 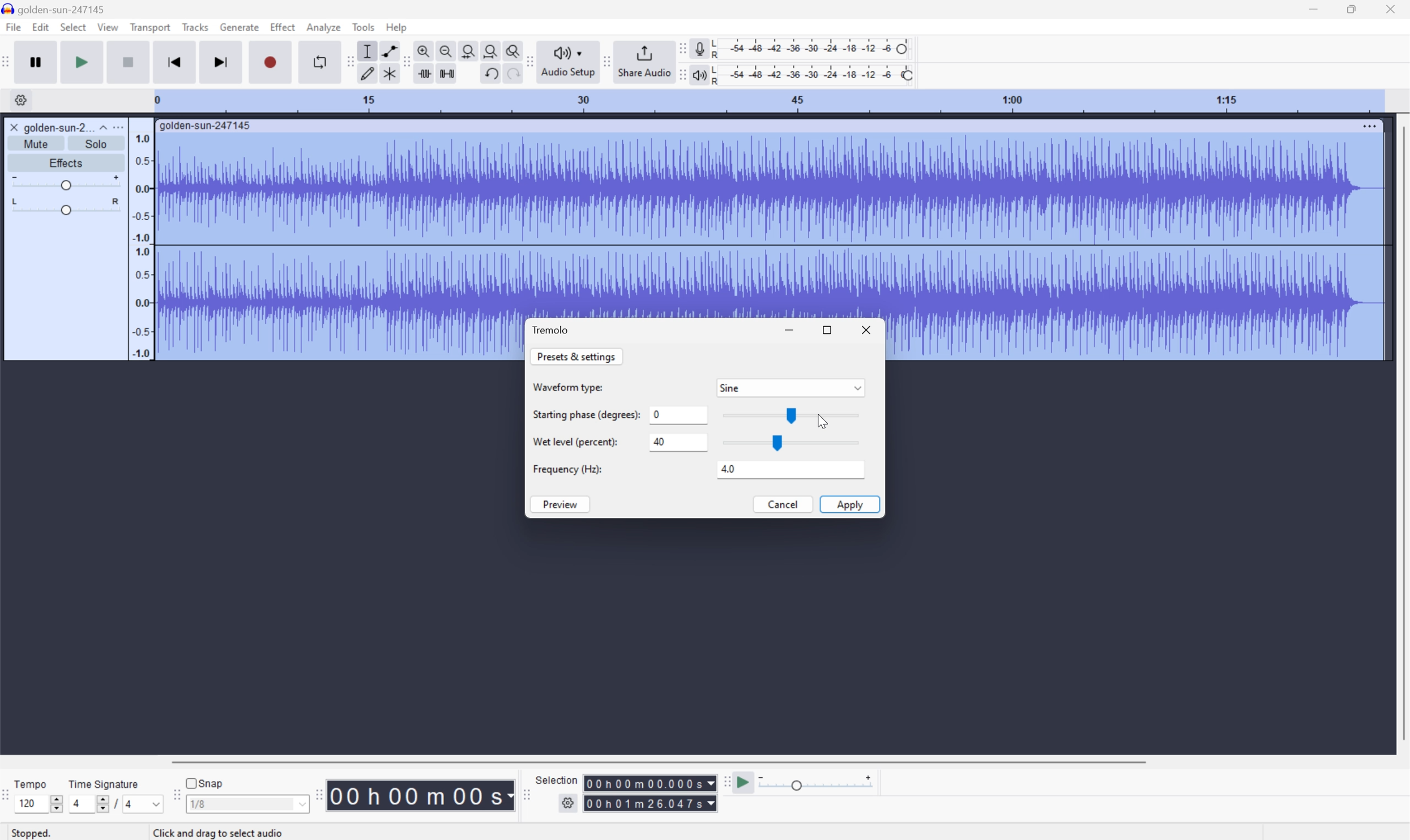 I want to click on Pause, so click(x=38, y=61).